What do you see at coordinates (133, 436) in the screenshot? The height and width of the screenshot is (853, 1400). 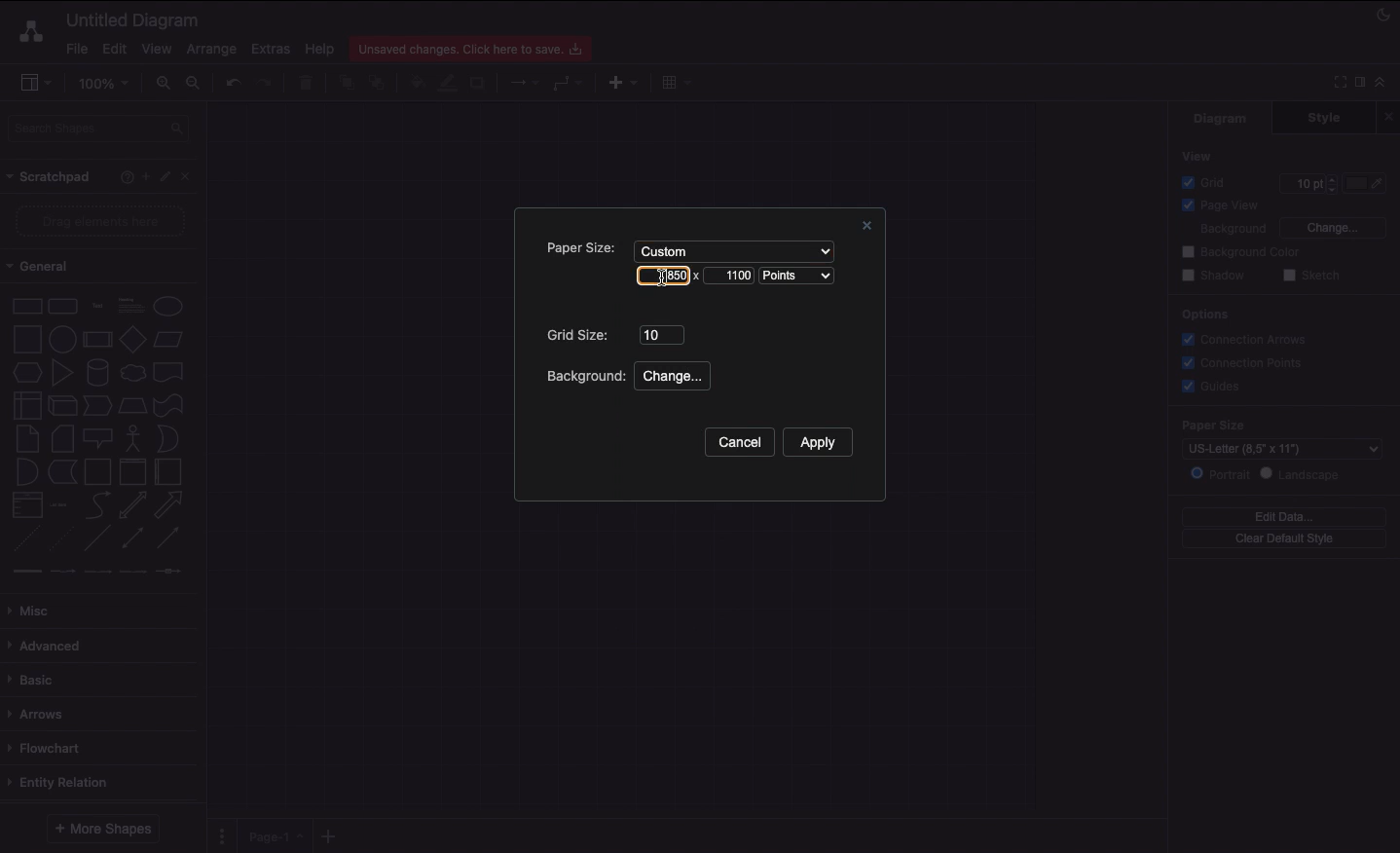 I see `Actor` at bounding box center [133, 436].